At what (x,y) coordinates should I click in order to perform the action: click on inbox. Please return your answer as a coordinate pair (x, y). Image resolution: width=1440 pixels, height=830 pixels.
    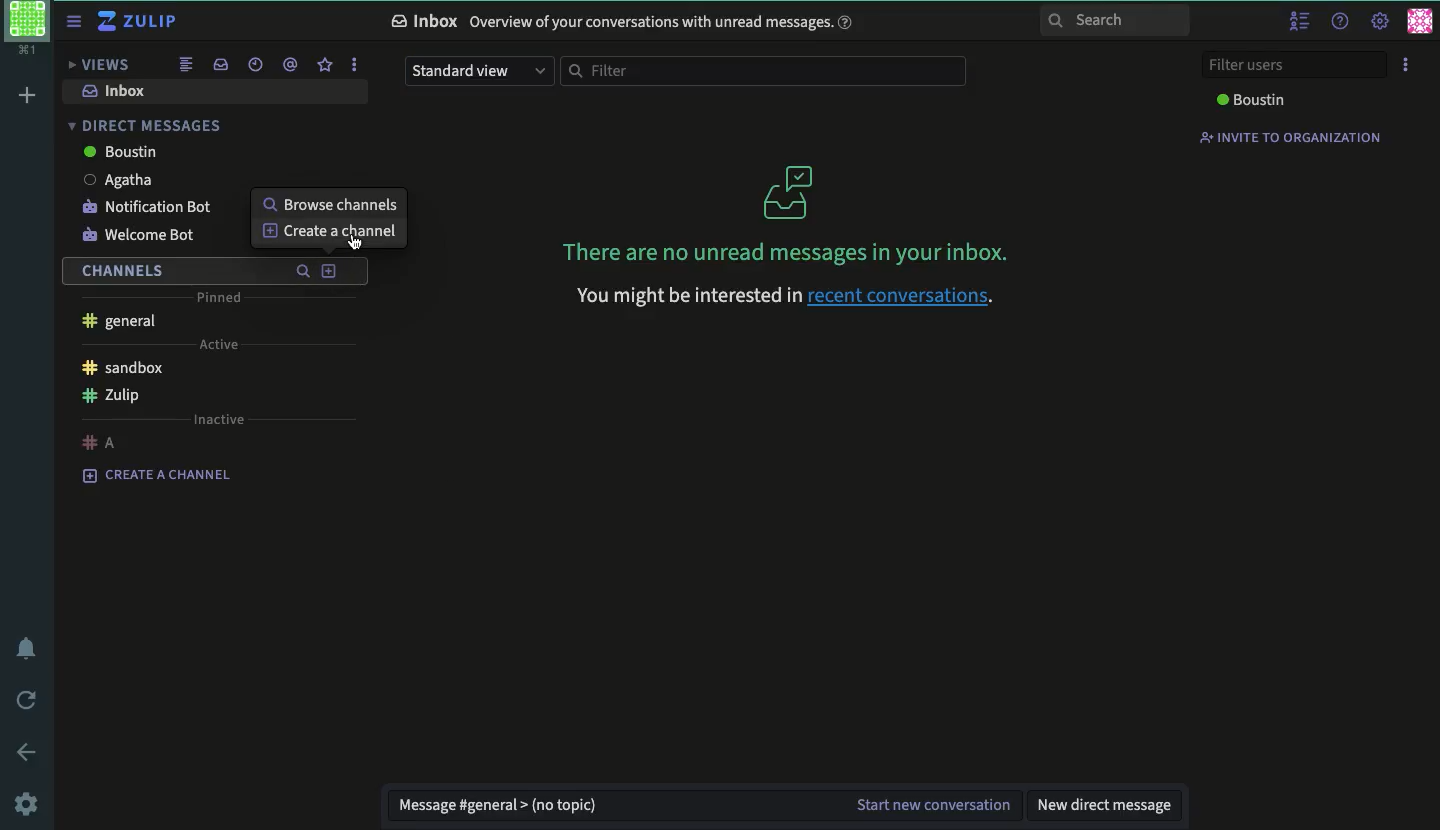
    Looking at the image, I should click on (220, 65).